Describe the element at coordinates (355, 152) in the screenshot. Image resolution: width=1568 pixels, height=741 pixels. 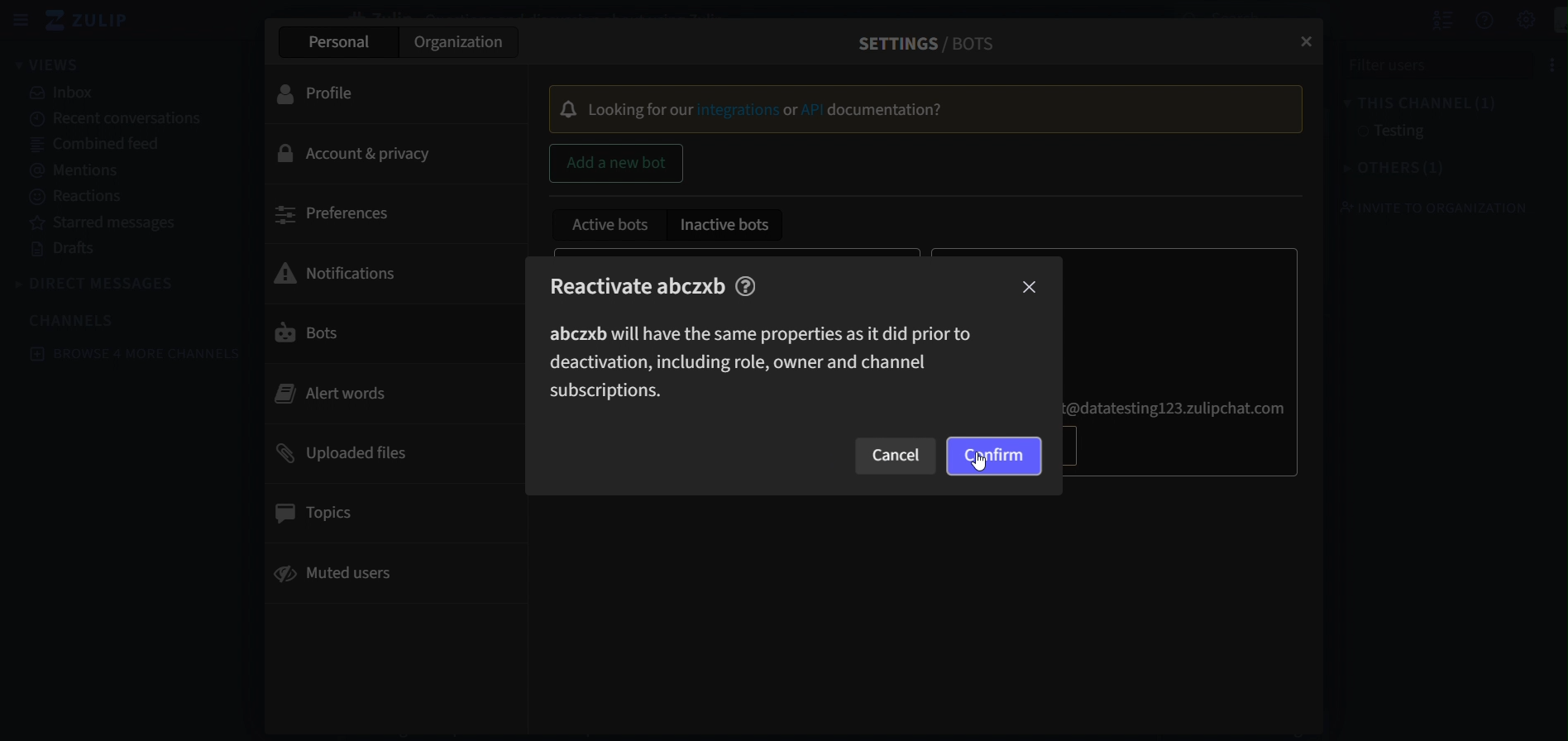
I see `account & privacy` at that location.